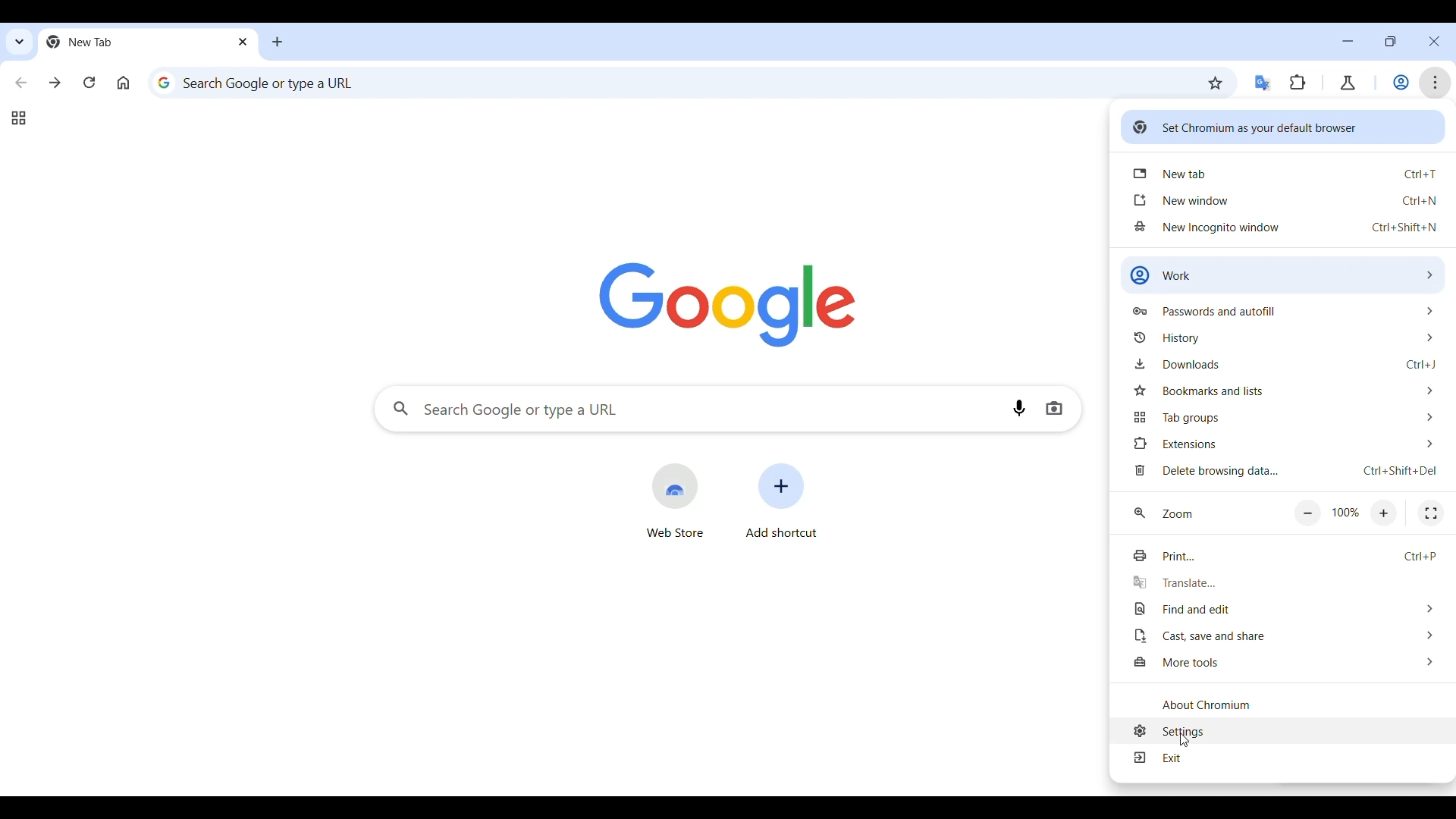 This screenshot has height=819, width=1456. What do you see at coordinates (1285, 337) in the screenshot?
I see `History ` at bounding box center [1285, 337].